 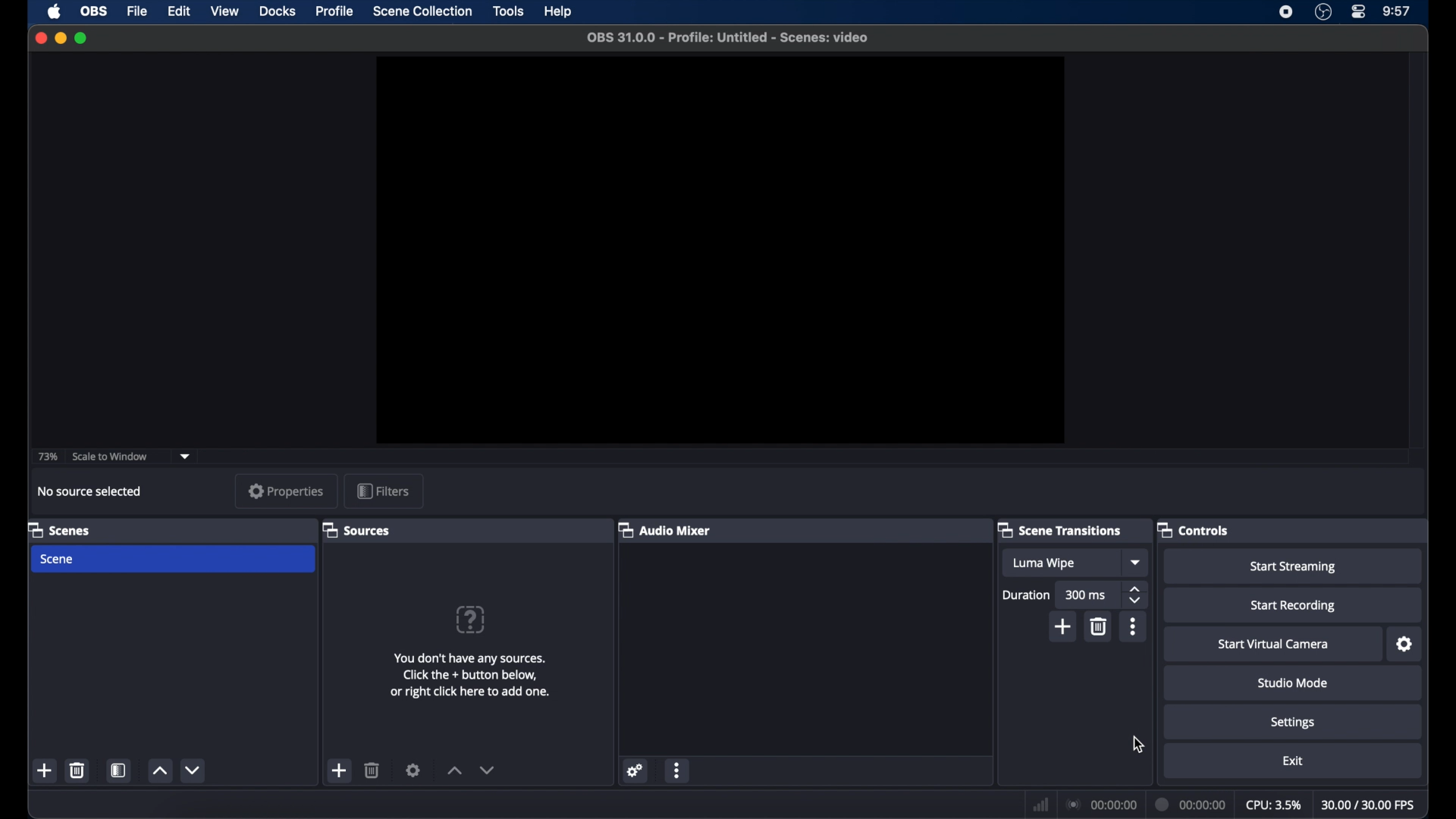 I want to click on 73%, so click(x=46, y=457).